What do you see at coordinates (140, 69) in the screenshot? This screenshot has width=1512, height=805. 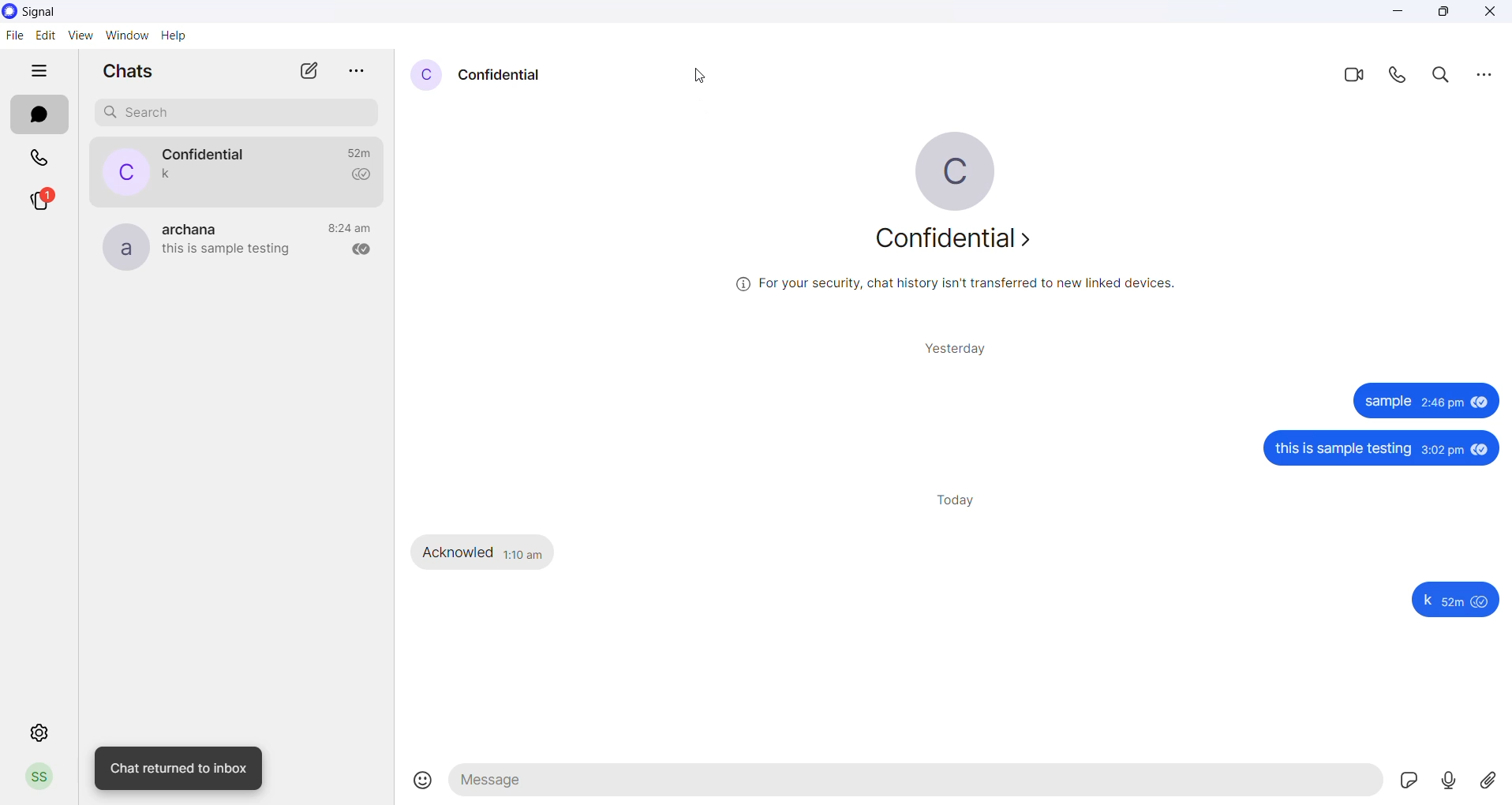 I see `chats heading` at bounding box center [140, 69].